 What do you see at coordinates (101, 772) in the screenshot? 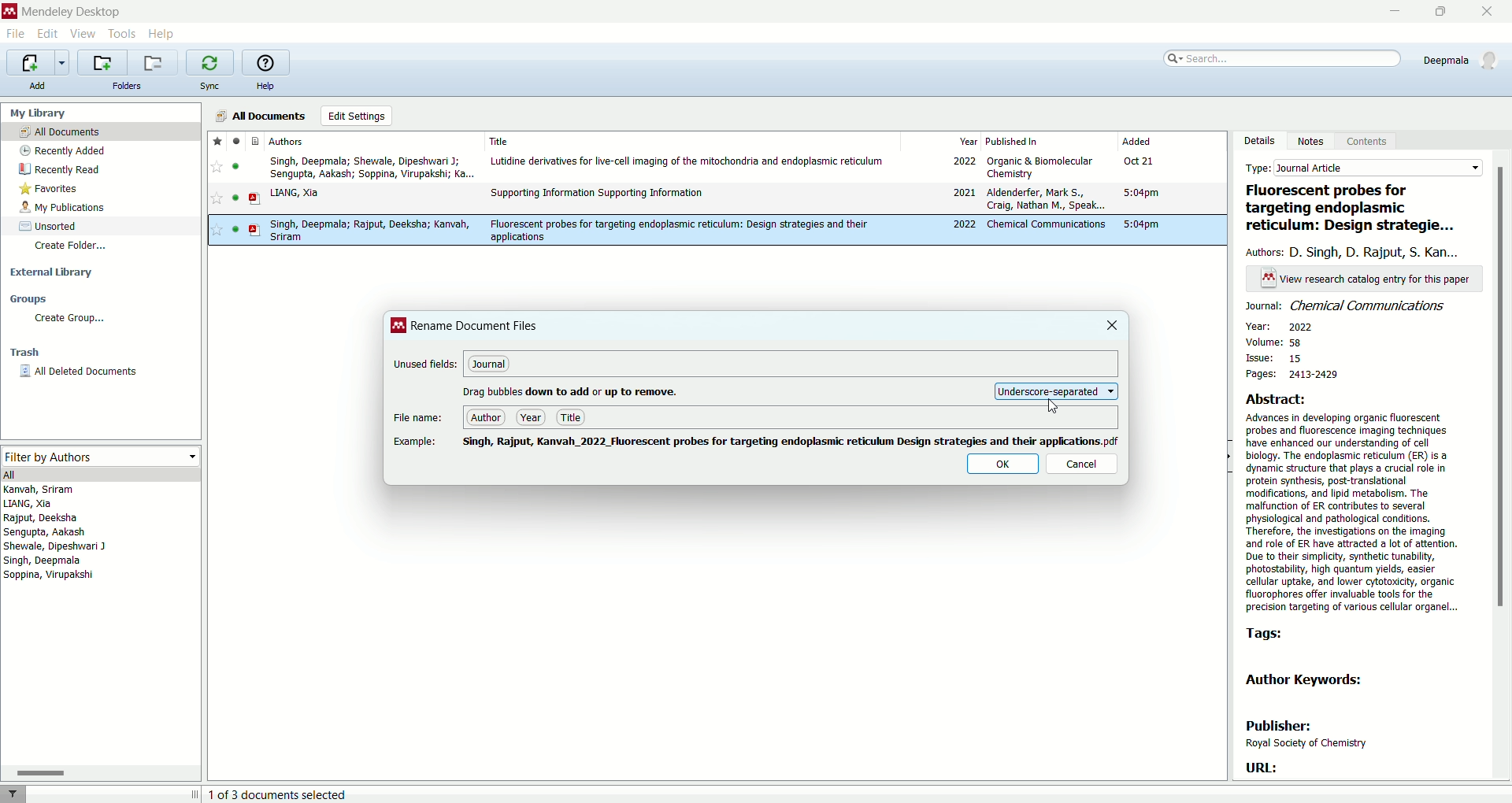
I see `Horizontal scroll bar` at bounding box center [101, 772].